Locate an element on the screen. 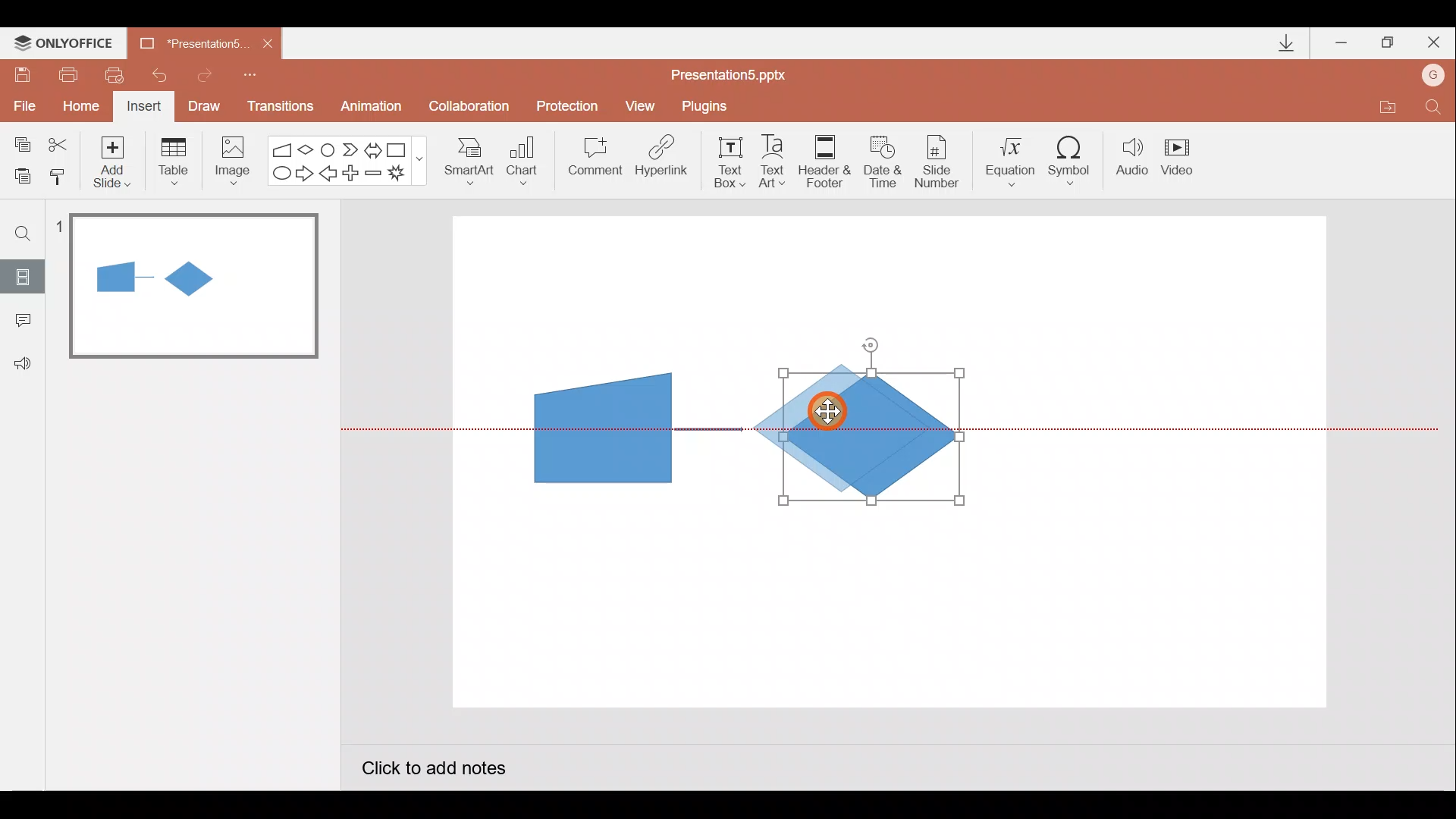 The image size is (1456, 819). Left right arrow is located at coordinates (375, 147).